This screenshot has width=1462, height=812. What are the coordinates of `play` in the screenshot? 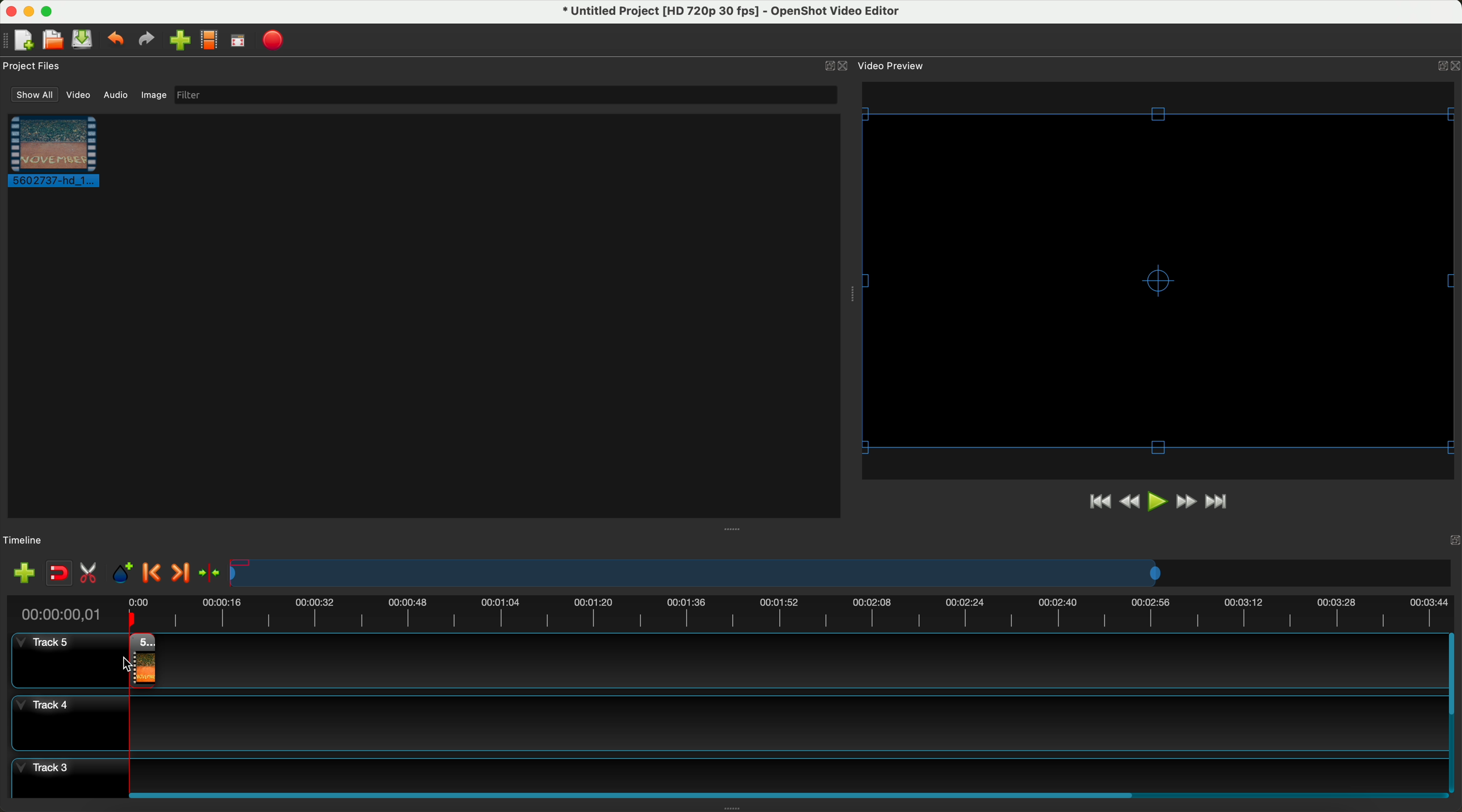 It's located at (1156, 502).